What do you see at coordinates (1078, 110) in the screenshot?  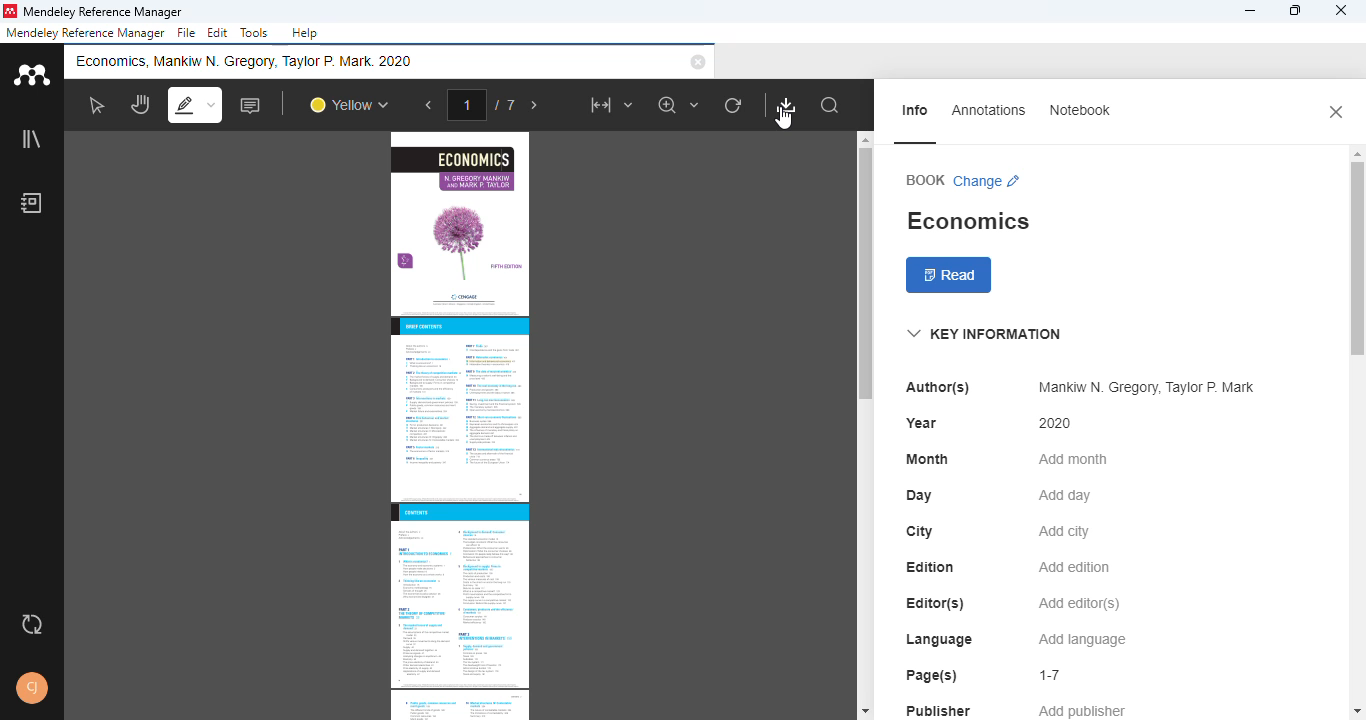 I see `notebook` at bounding box center [1078, 110].